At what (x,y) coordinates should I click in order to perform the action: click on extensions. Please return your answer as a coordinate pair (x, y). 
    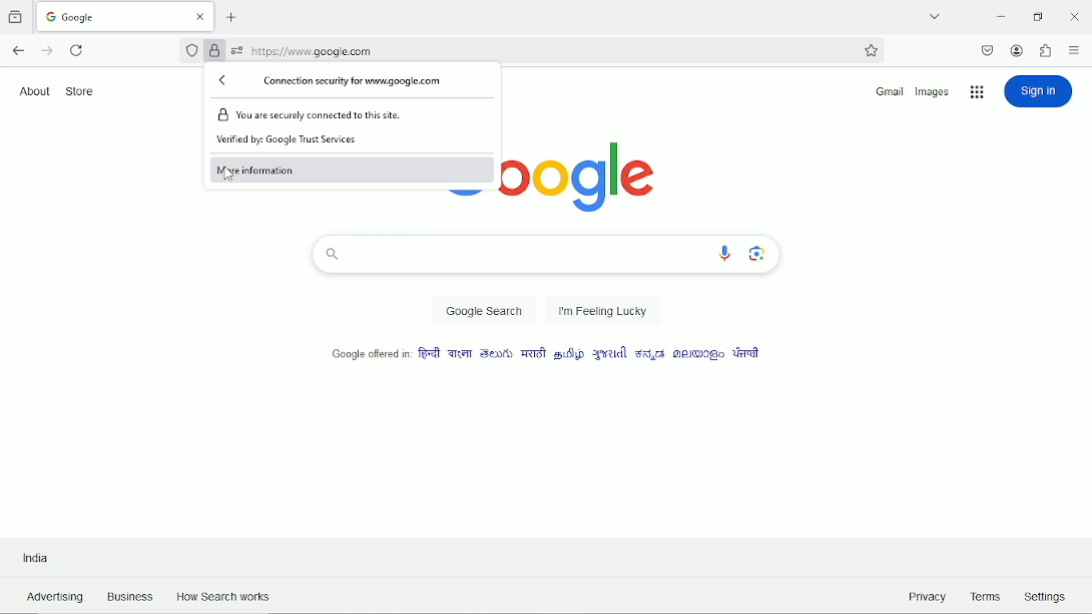
    Looking at the image, I should click on (1046, 49).